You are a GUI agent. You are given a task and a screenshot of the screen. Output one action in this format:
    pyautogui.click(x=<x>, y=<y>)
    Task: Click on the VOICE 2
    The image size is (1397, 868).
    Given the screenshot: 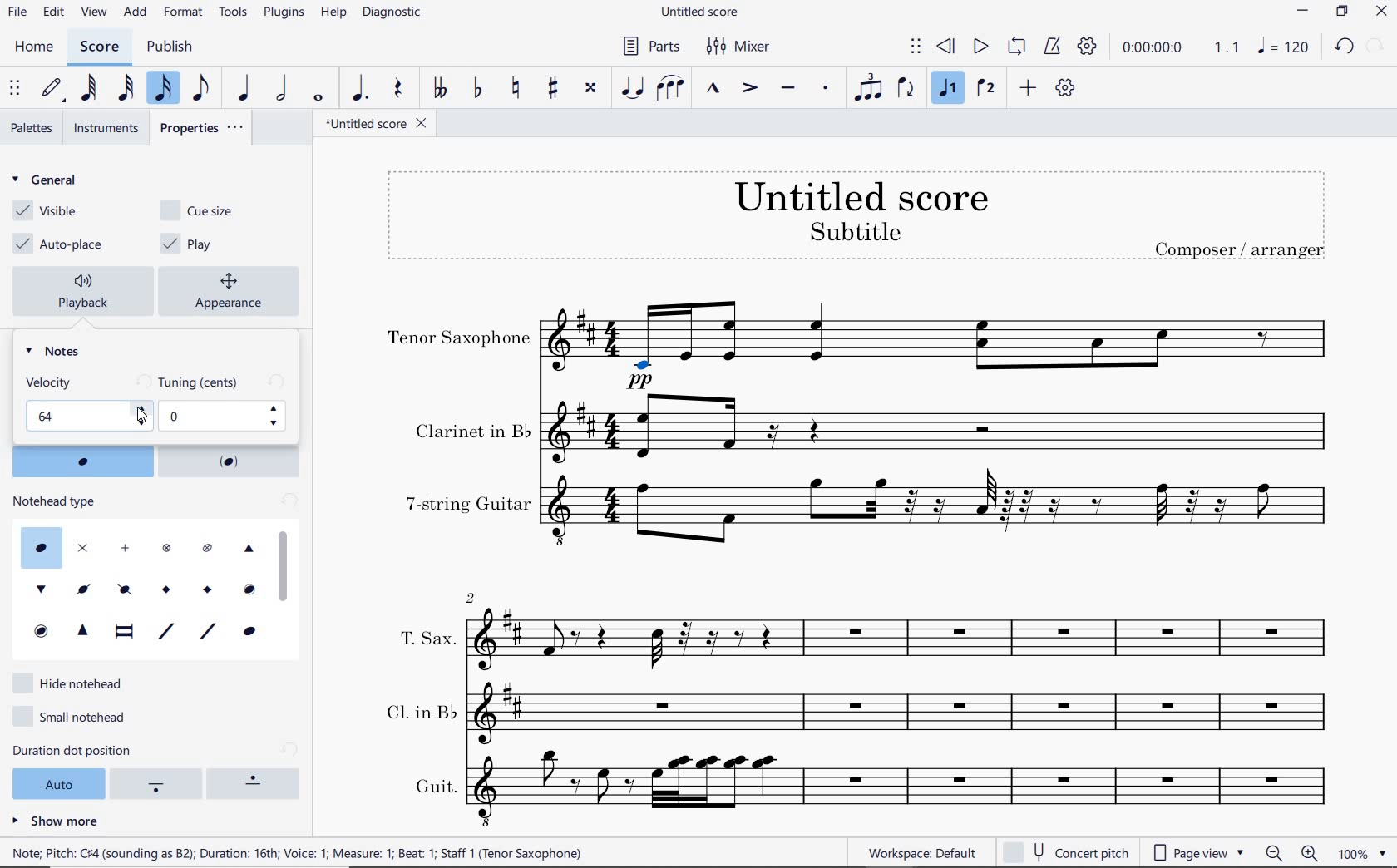 What is the action you would take?
    pyautogui.click(x=988, y=88)
    